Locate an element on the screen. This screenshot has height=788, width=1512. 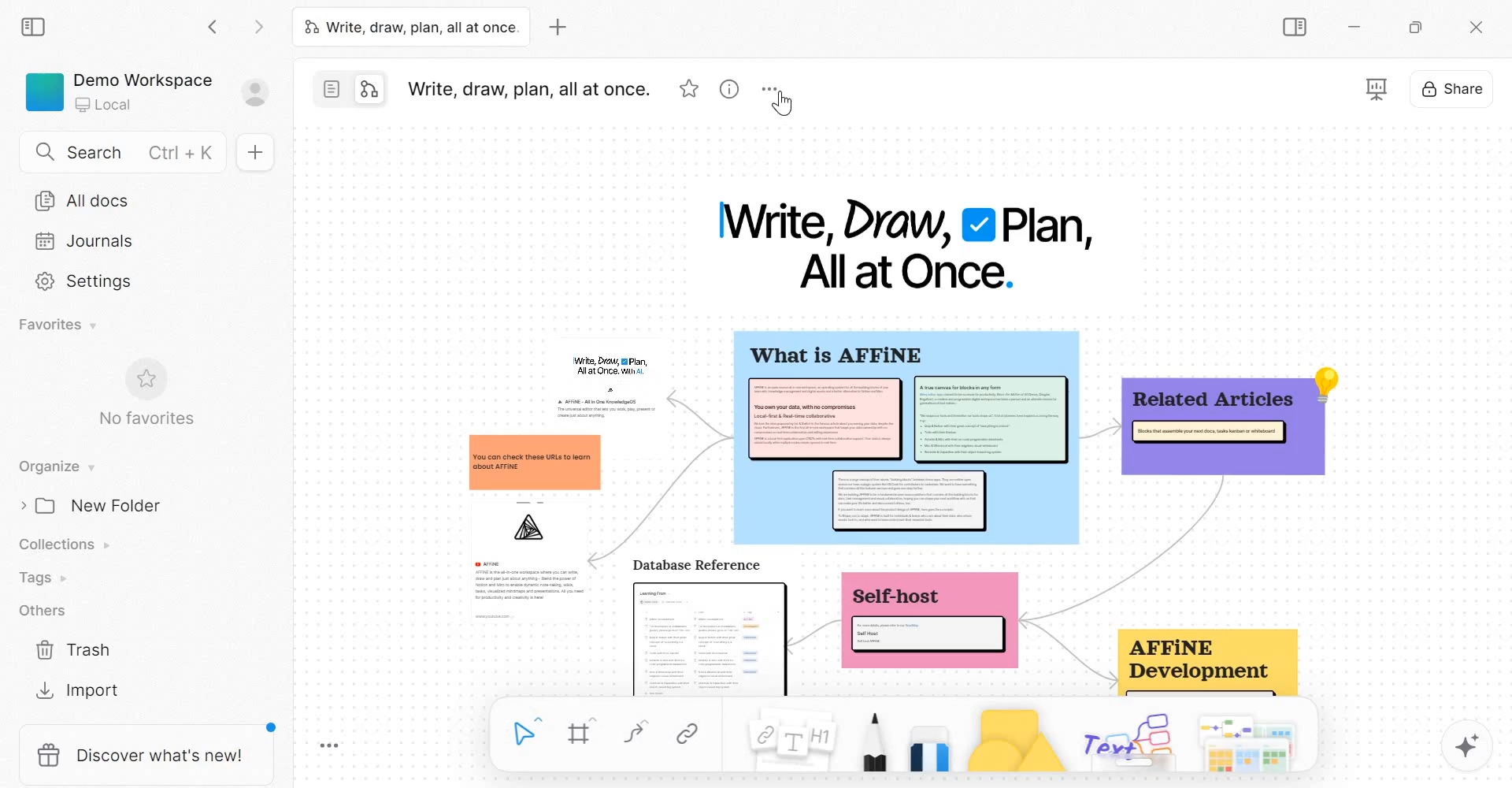
Note is located at coordinates (787, 740).